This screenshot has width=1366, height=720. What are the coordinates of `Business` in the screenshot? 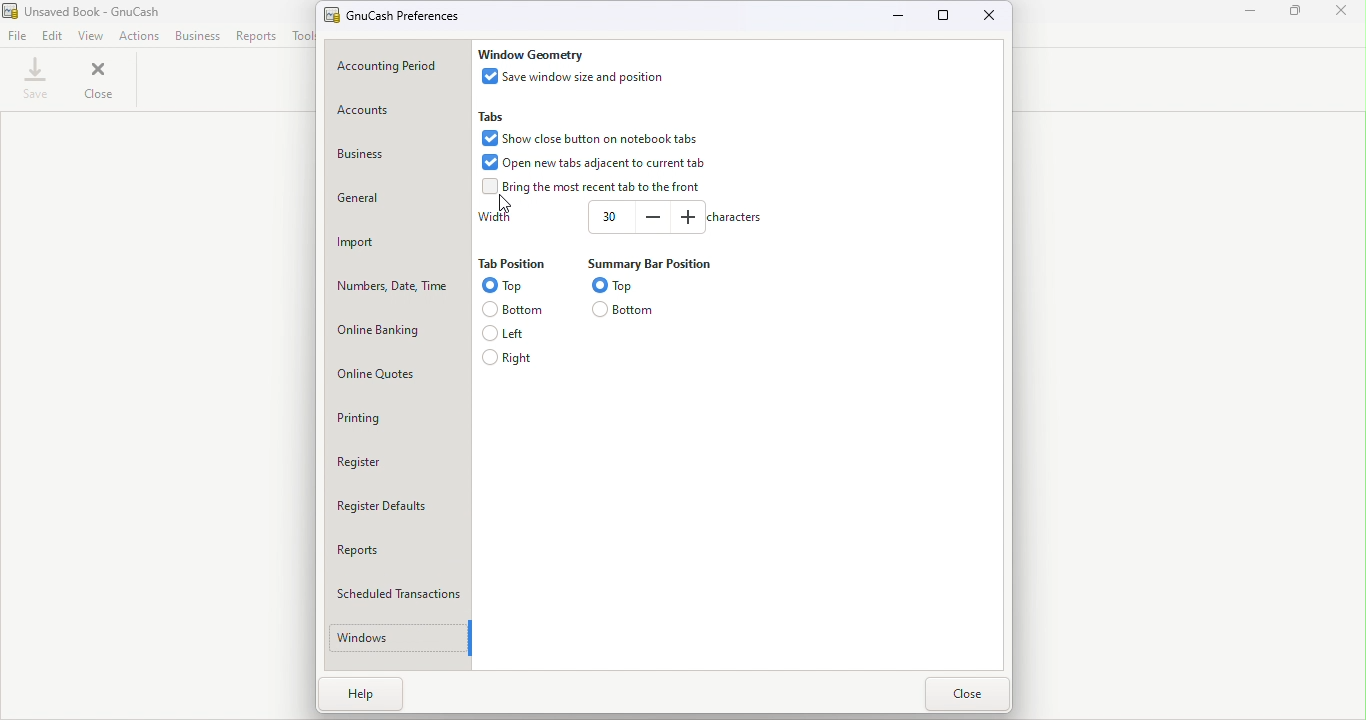 It's located at (391, 160).